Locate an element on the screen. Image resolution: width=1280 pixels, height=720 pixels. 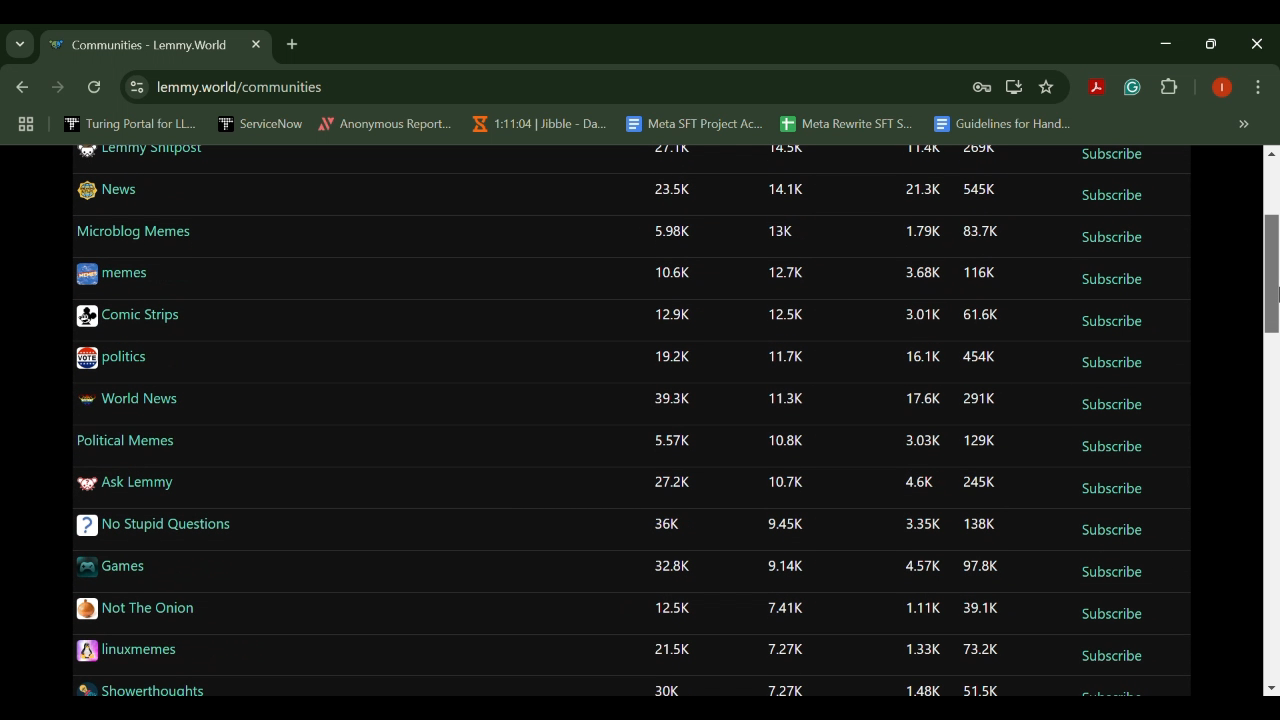
116K is located at coordinates (978, 274).